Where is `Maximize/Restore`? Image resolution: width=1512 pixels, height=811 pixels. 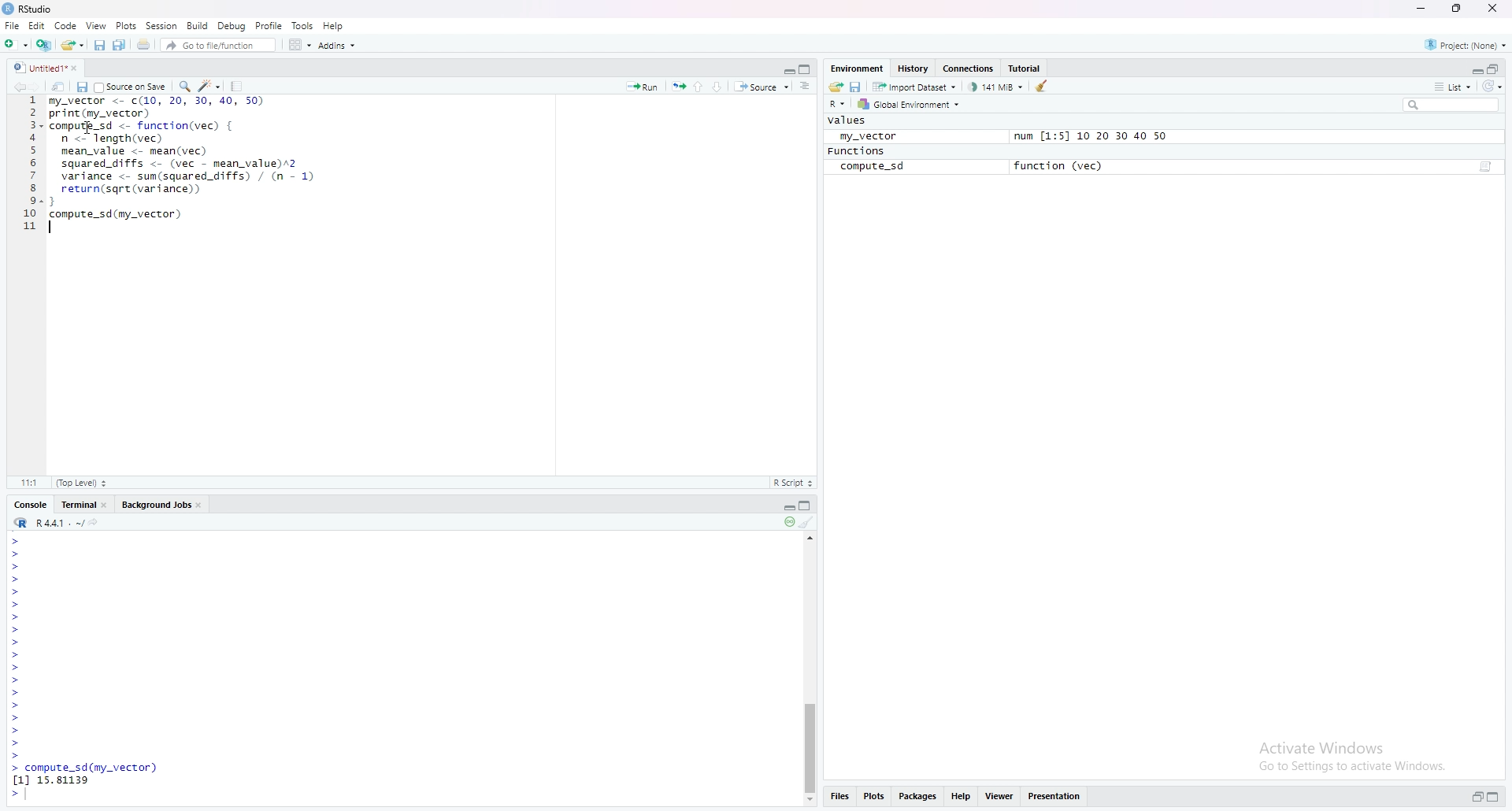
Maximize/Restore is located at coordinates (808, 506).